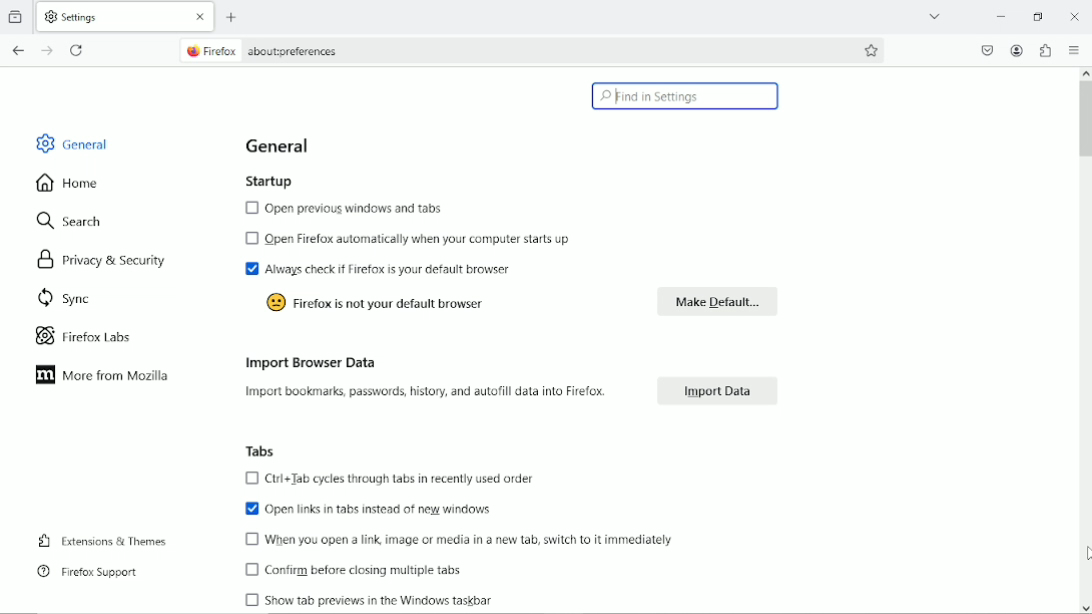 The width and height of the screenshot is (1092, 614). What do you see at coordinates (268, 51) in the screenshot?
I see `Firefox  about:preferences` at bounding box center [268, 51].